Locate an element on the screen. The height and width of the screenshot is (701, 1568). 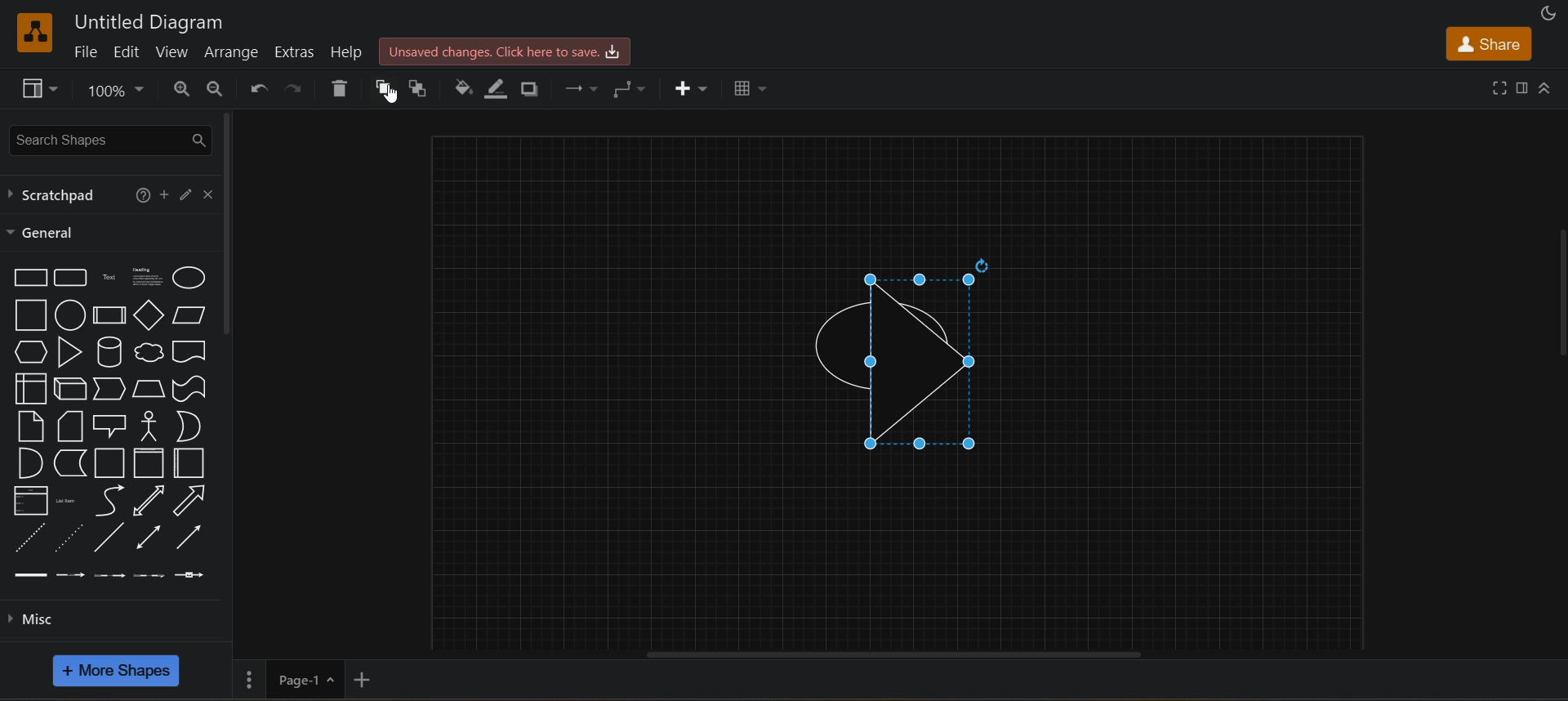
table is located at coordinates (750, 89).